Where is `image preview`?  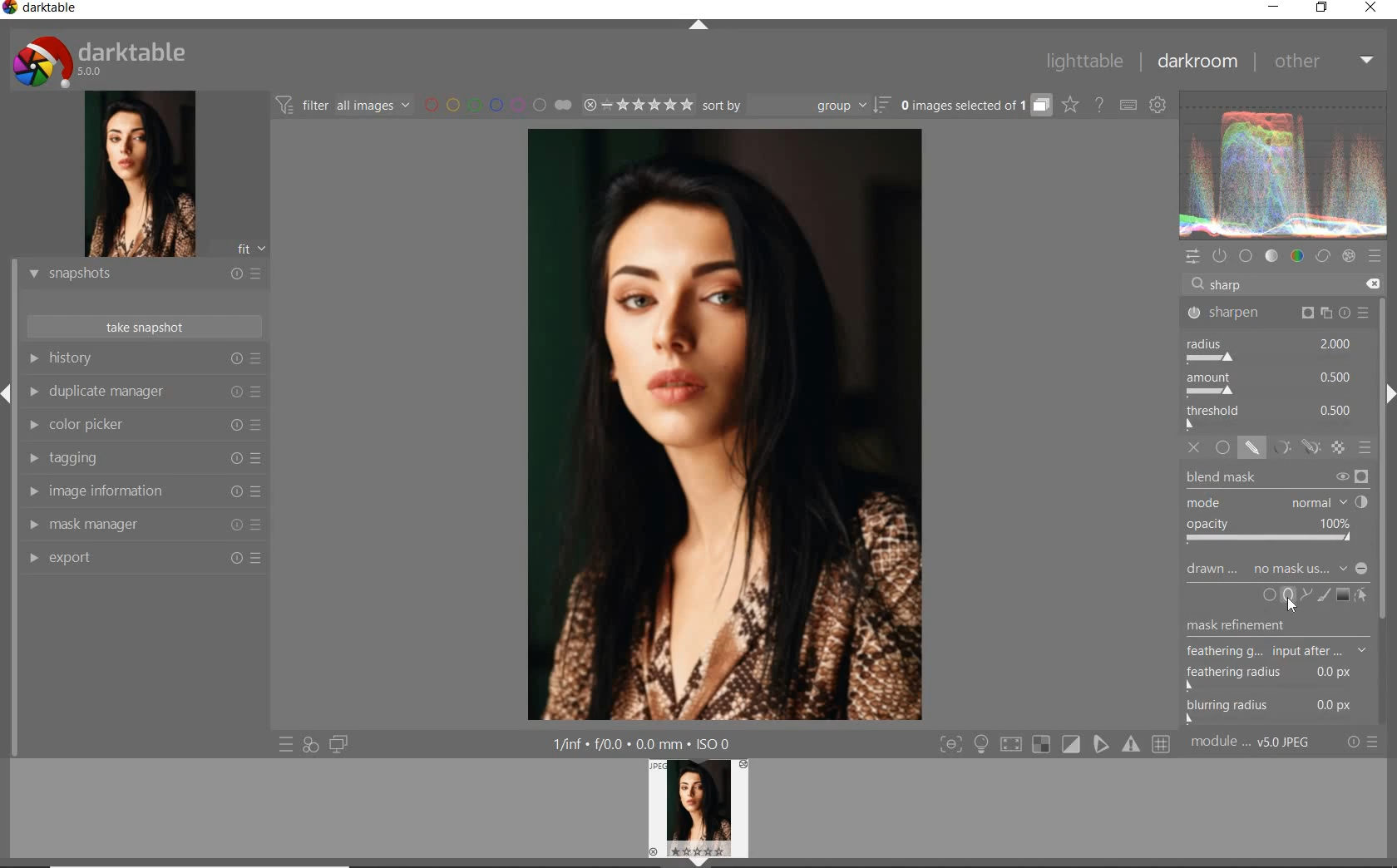 image preview is located at coordinates (141, 174).